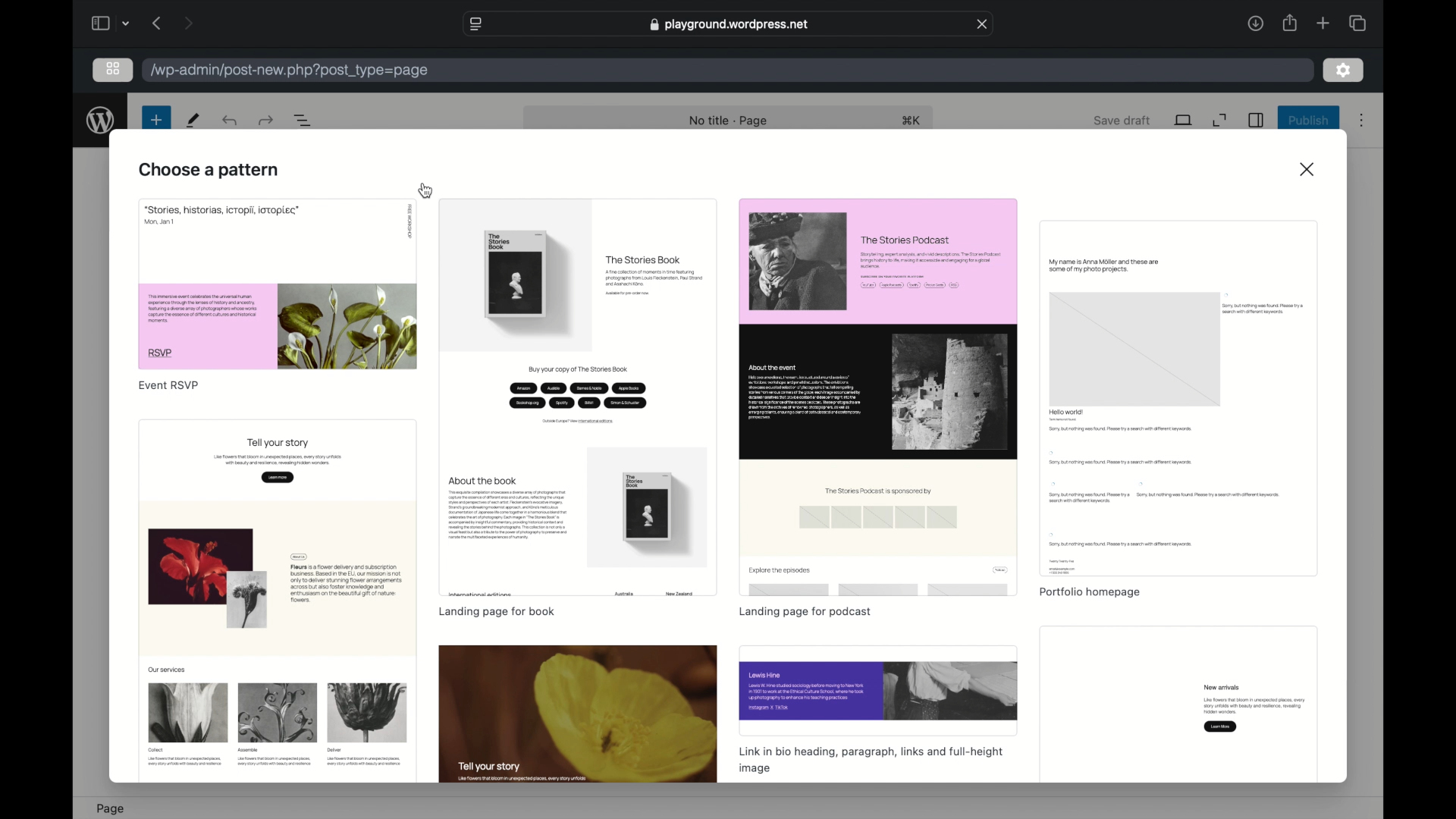 This screenshot has height=819, width=1456. Describe the element at coordinates (278, 601) in the screenshot. I see `preview` at that location.